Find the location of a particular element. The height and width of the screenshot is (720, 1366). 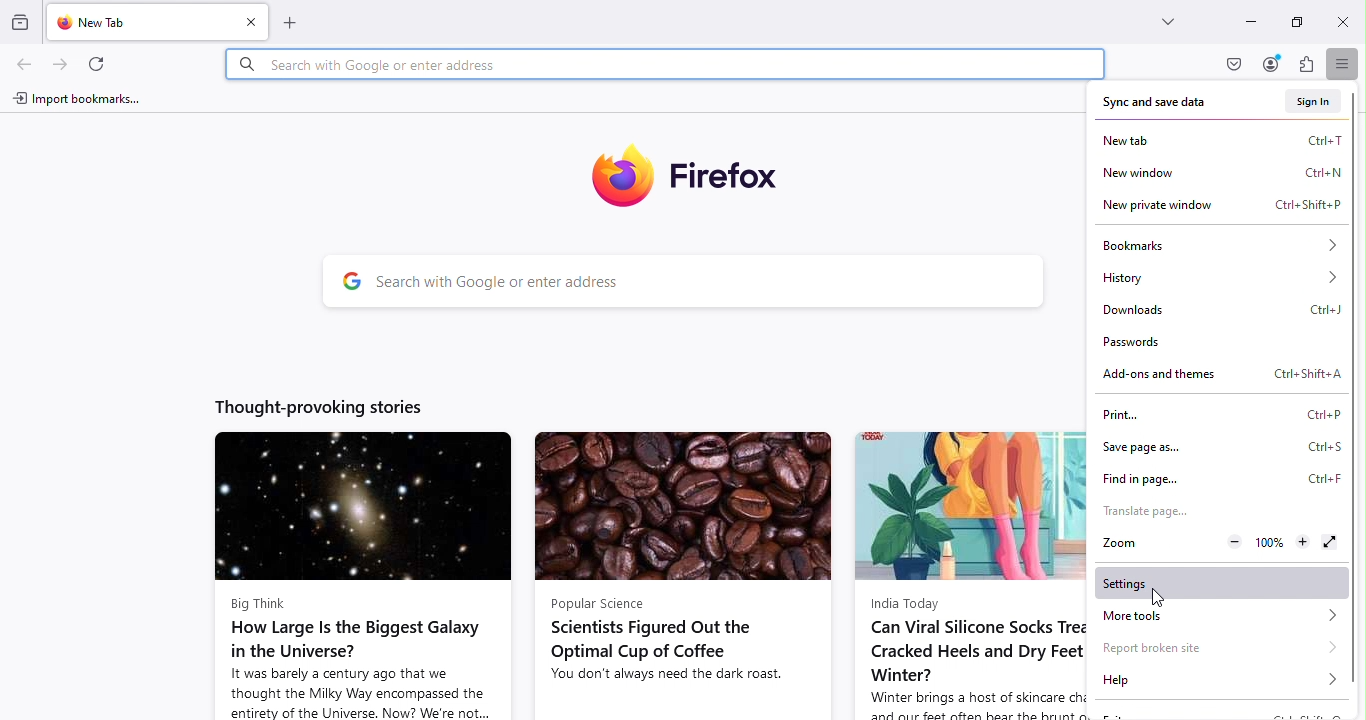

More tools is located at coordinates (1224, 616).